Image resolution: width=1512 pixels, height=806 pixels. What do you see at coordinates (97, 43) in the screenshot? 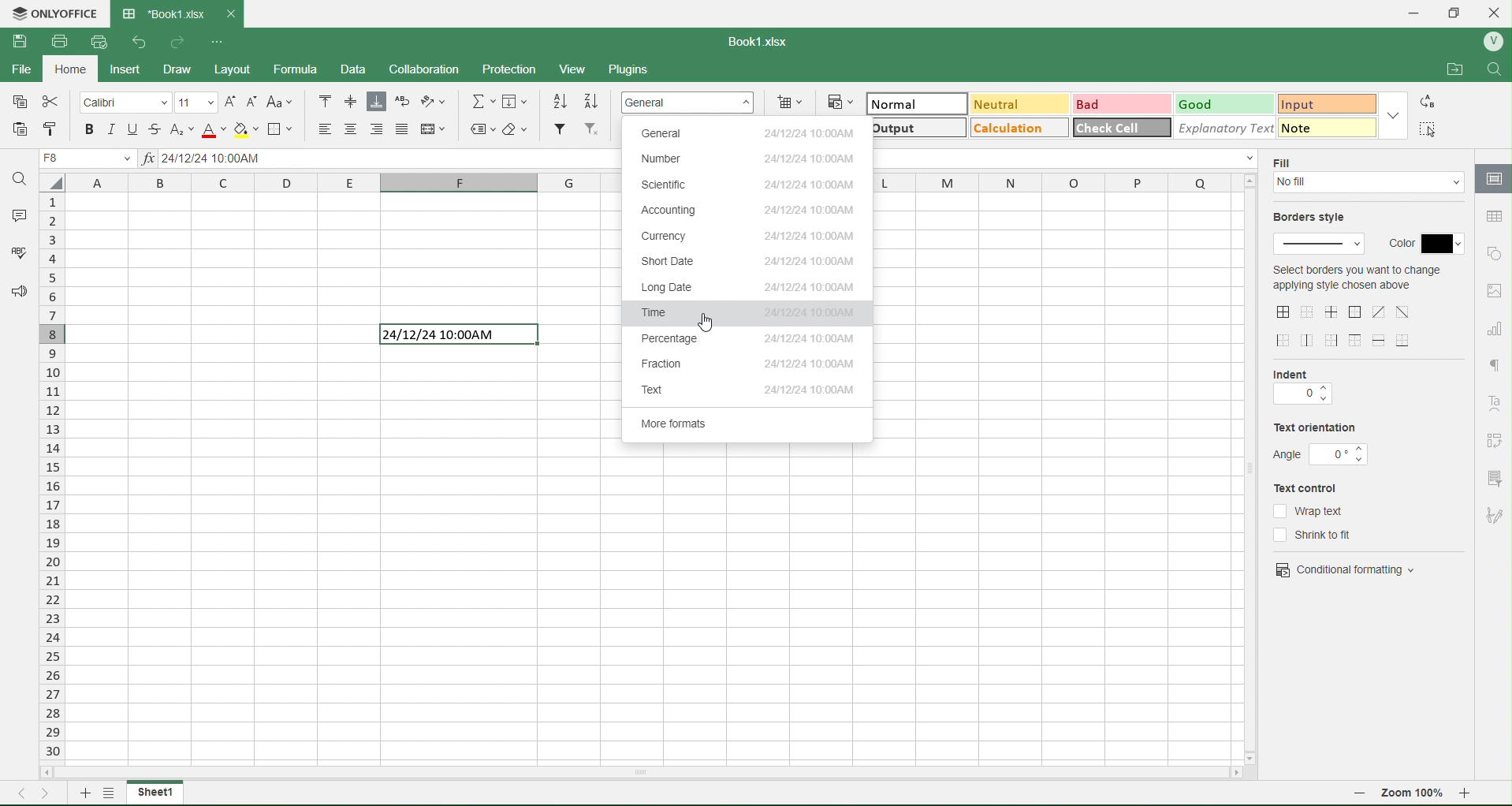
I see `Quick Print` at bounding box center [97, 43].